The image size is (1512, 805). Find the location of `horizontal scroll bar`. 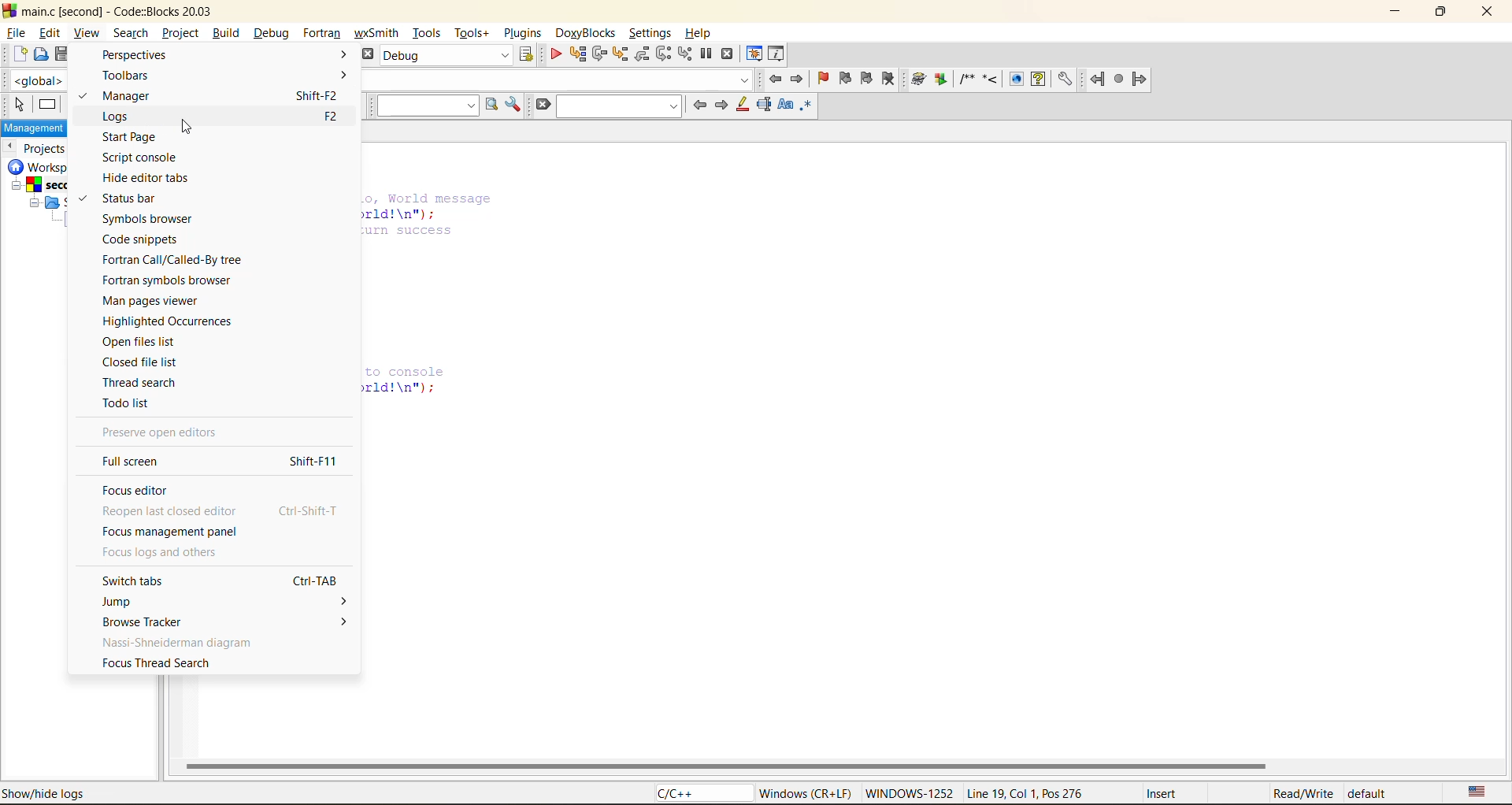

horizontal scroll bar is located at coordinates (727, 766).